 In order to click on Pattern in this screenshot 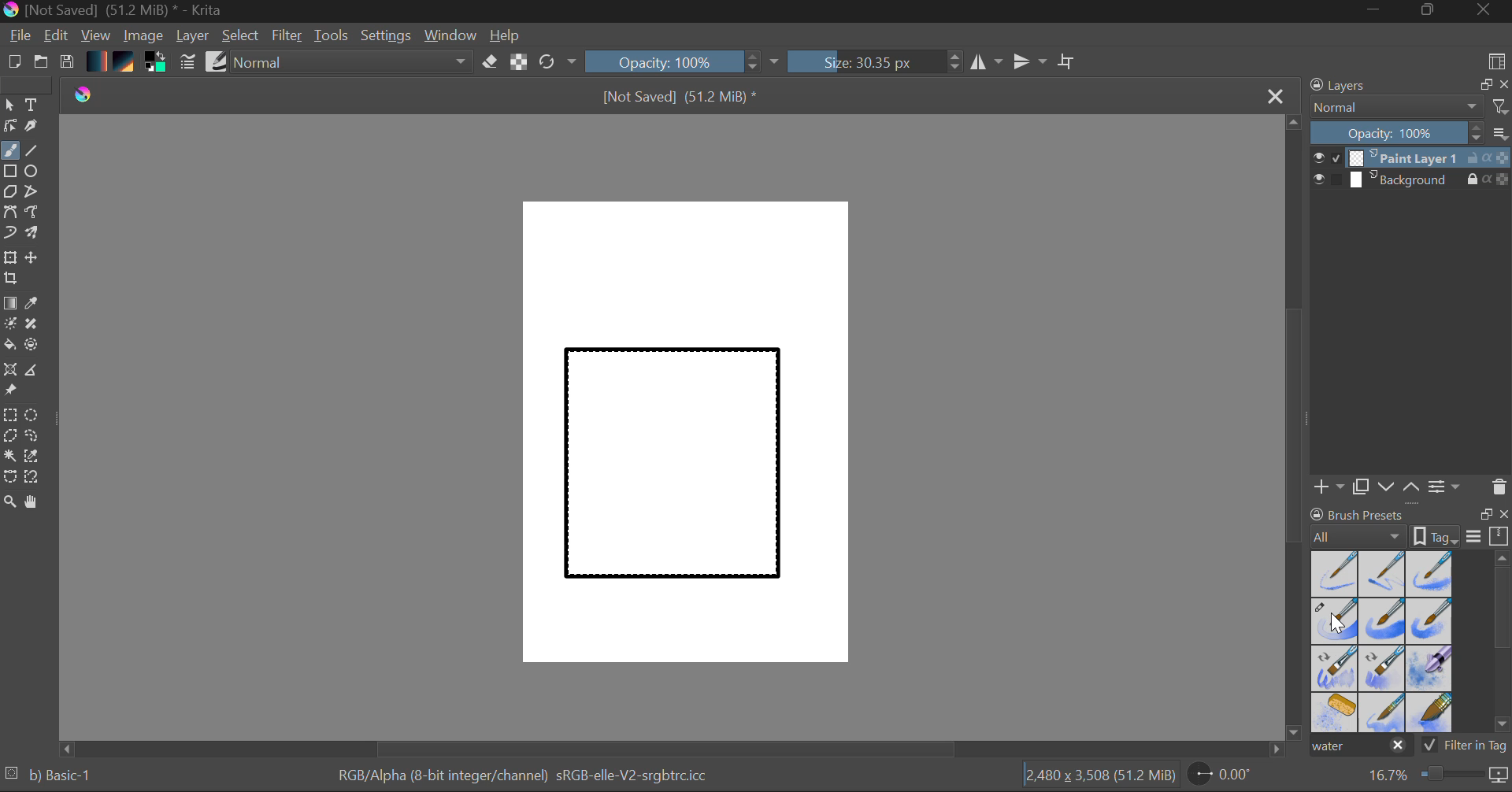, I will do `click(126, 63)`.